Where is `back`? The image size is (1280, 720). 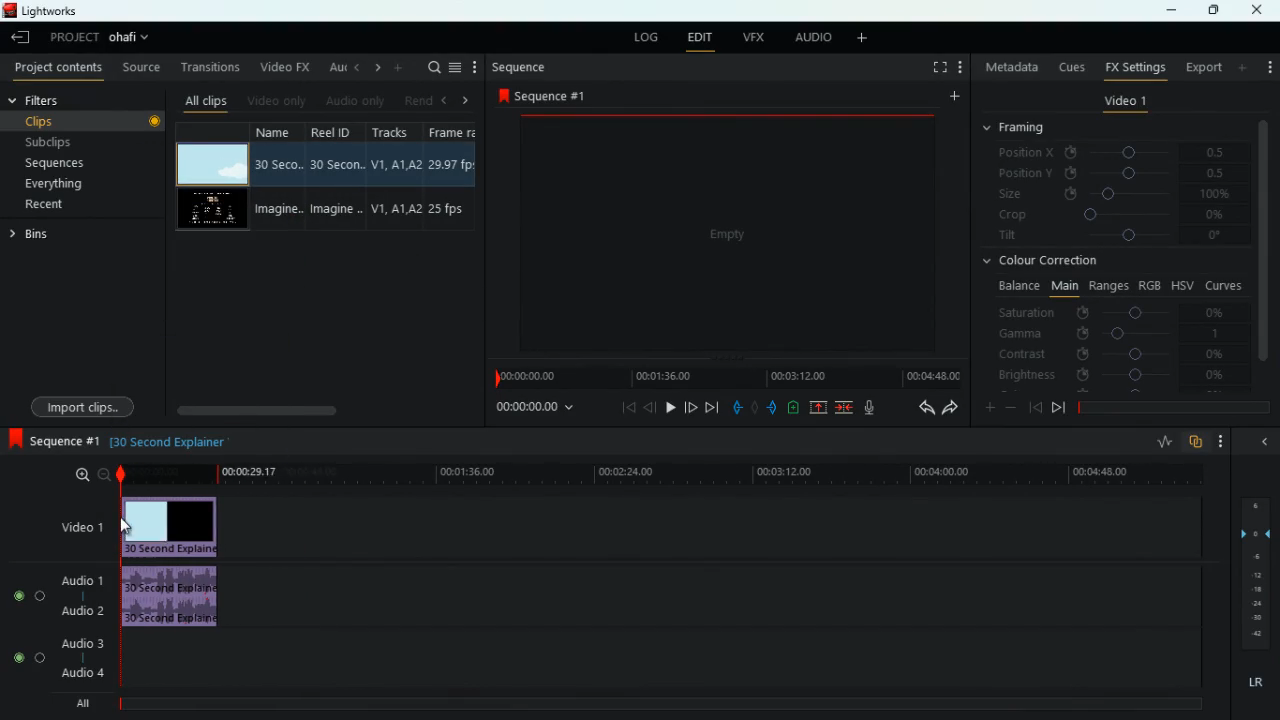 back is located at coordinates (1035, 408).